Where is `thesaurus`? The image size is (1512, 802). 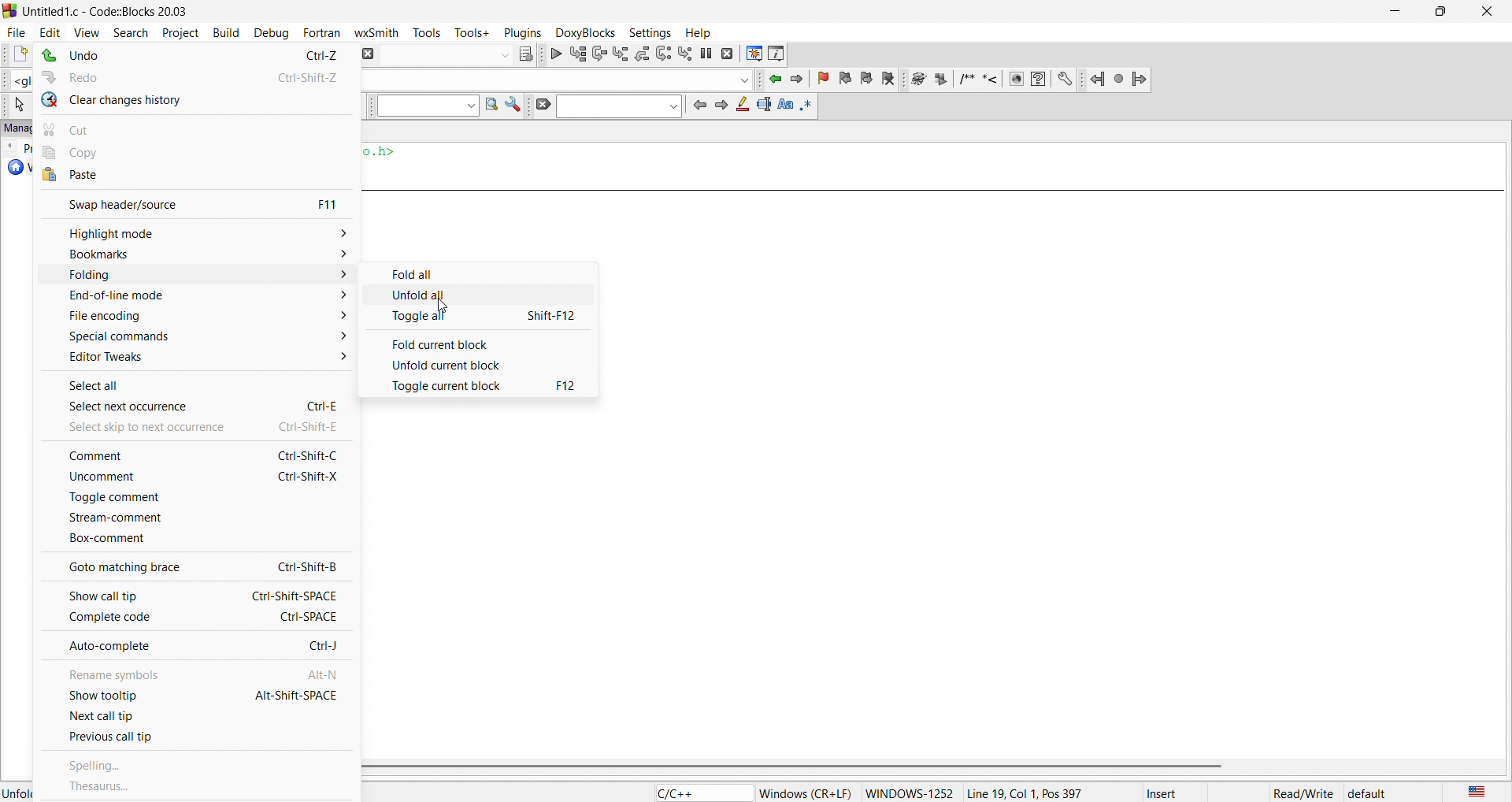 thesaurus is located at coordinates (196, 786).